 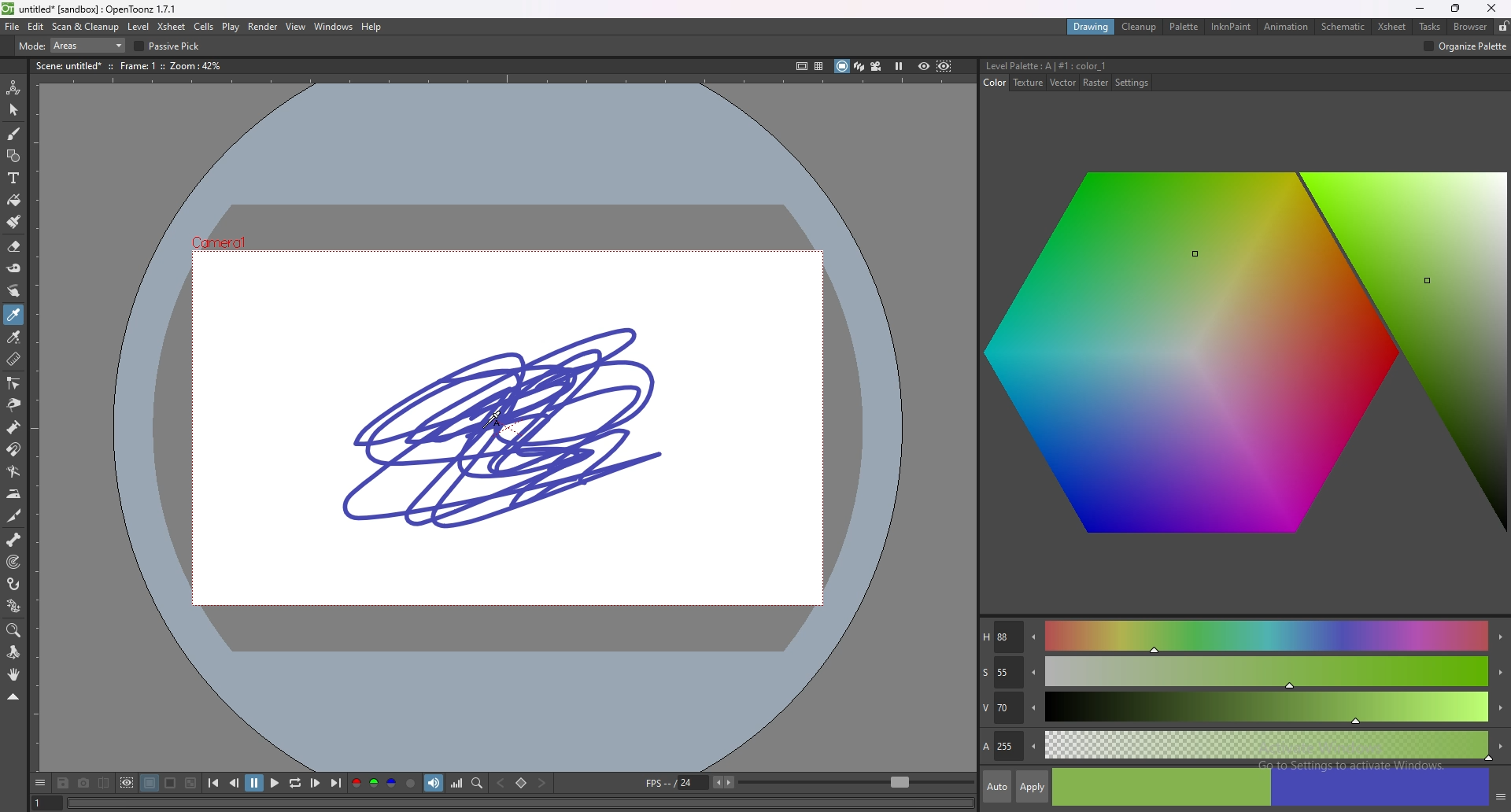 I want to click on safe area, so click(x=801, y=65).